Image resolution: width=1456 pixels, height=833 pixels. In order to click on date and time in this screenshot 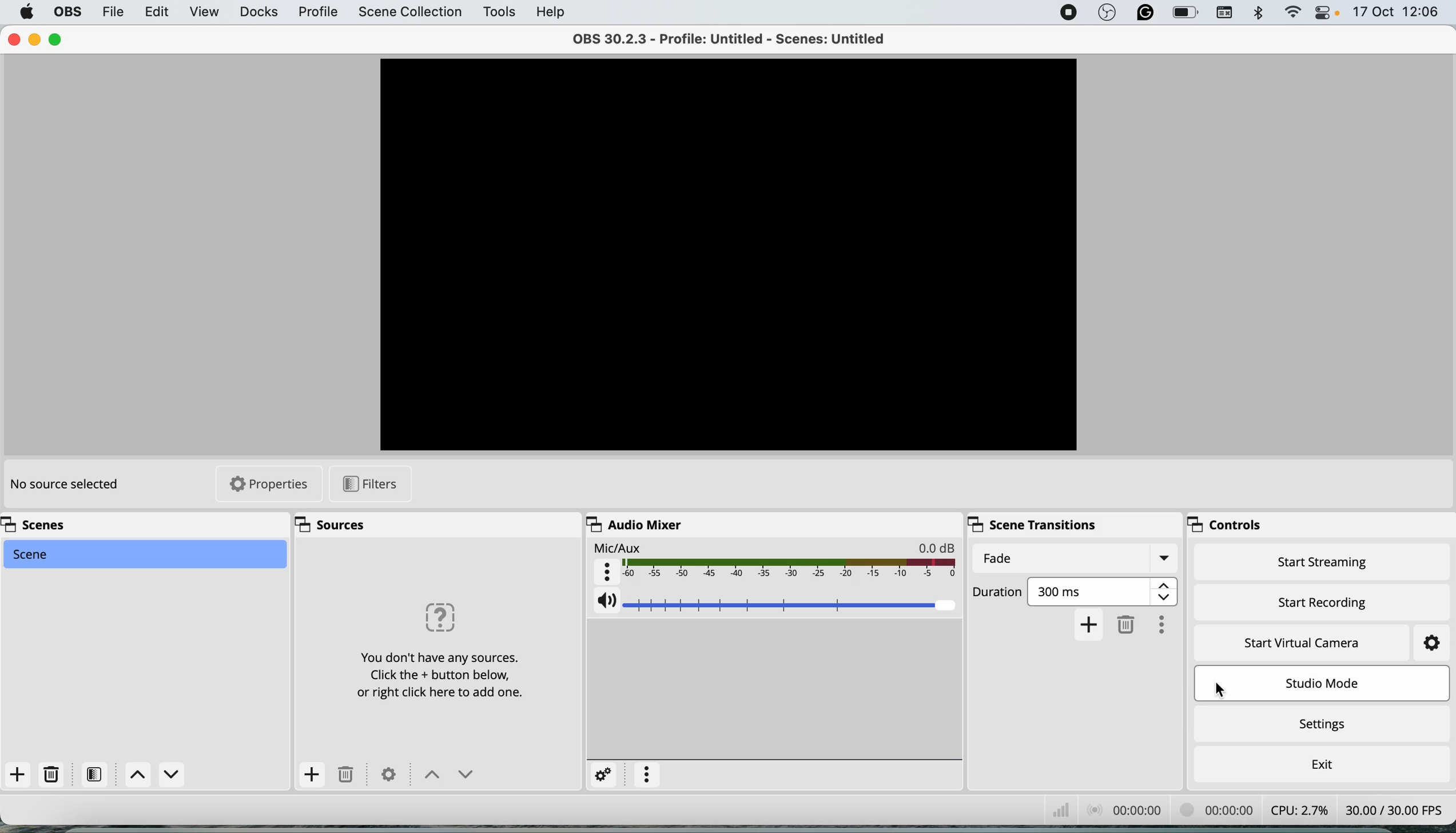, I will do `click(1397, 14)`.